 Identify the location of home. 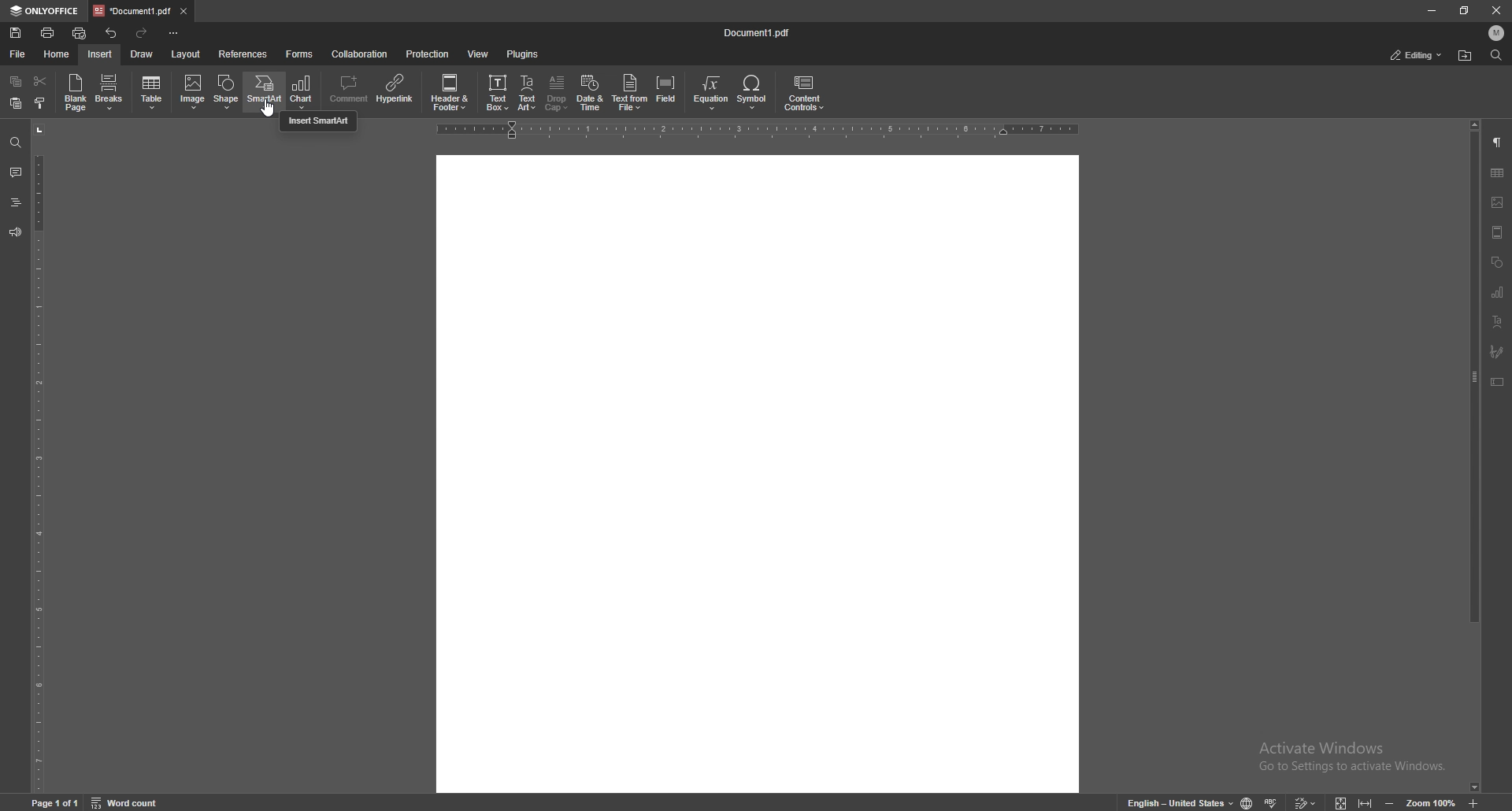
(57, 54).